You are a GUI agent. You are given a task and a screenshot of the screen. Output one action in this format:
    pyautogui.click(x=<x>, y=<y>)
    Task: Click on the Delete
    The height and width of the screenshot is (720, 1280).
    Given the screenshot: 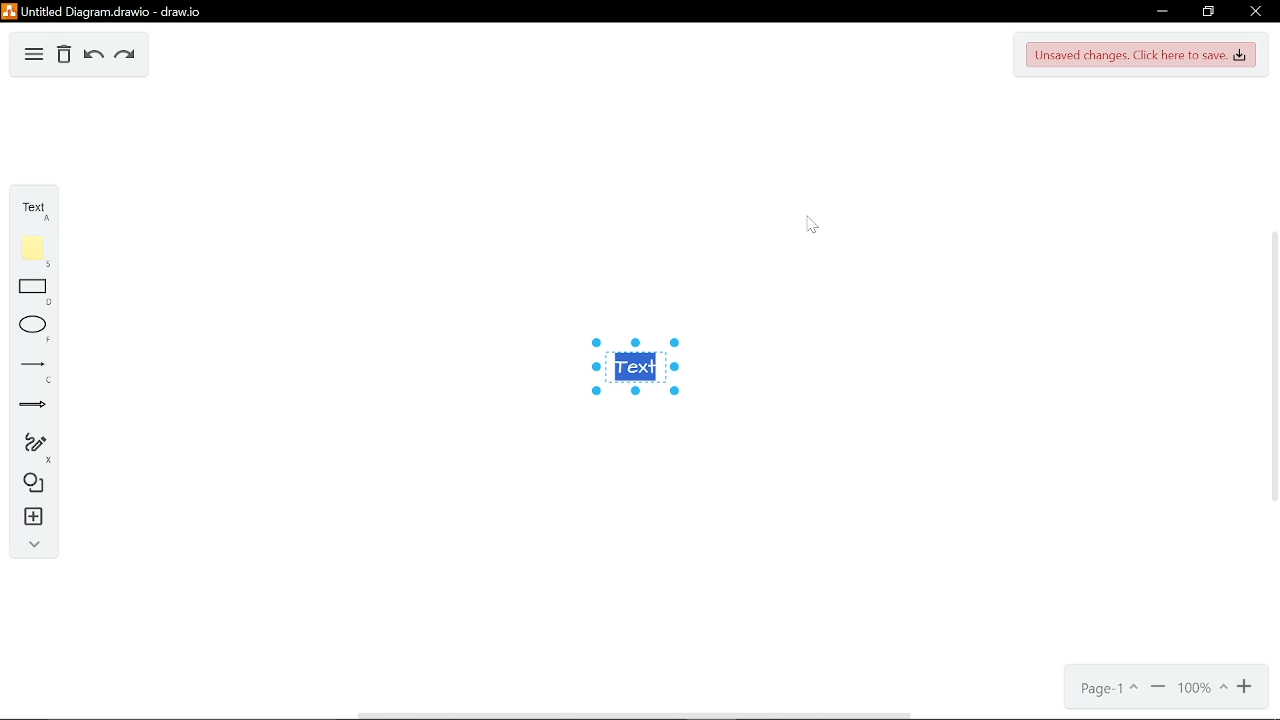 What is the action you would take?
    pyautogui.click(x=64, y=56)
    